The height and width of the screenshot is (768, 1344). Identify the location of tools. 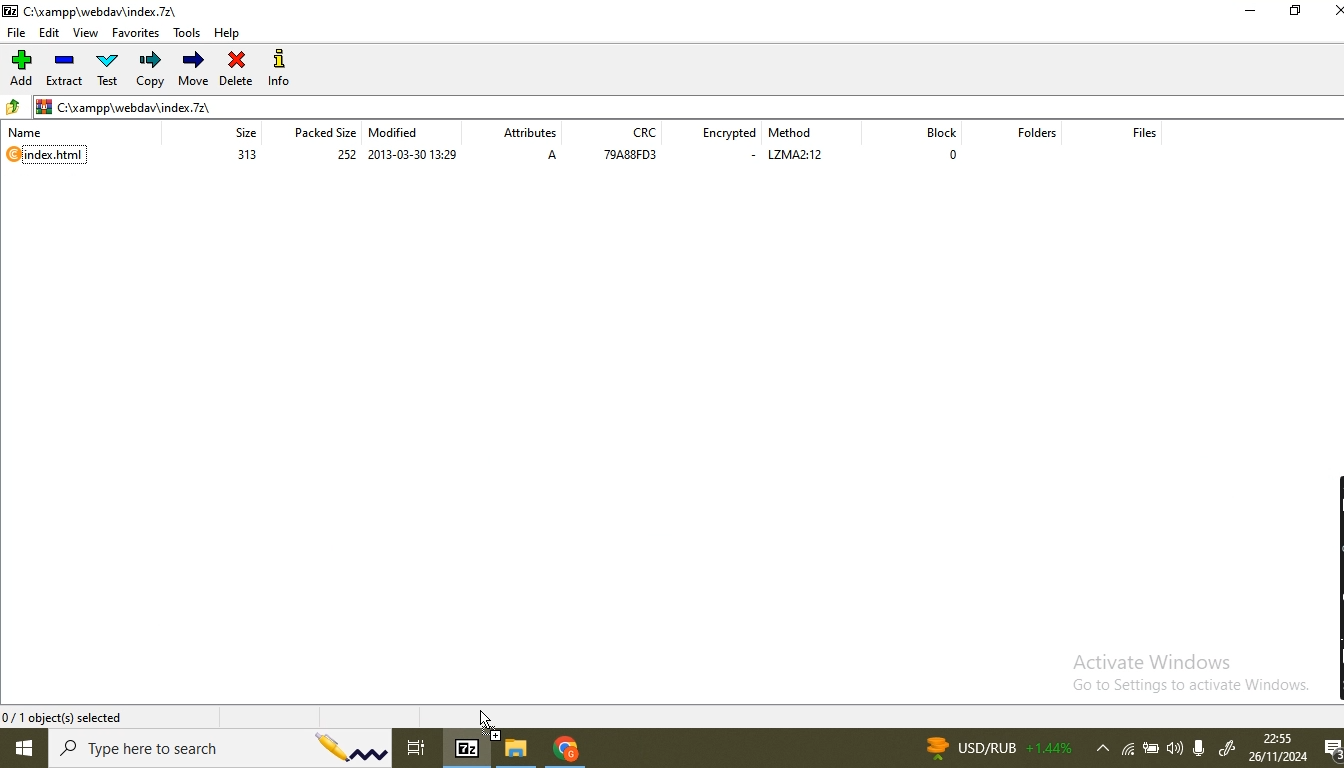
(190, 34).